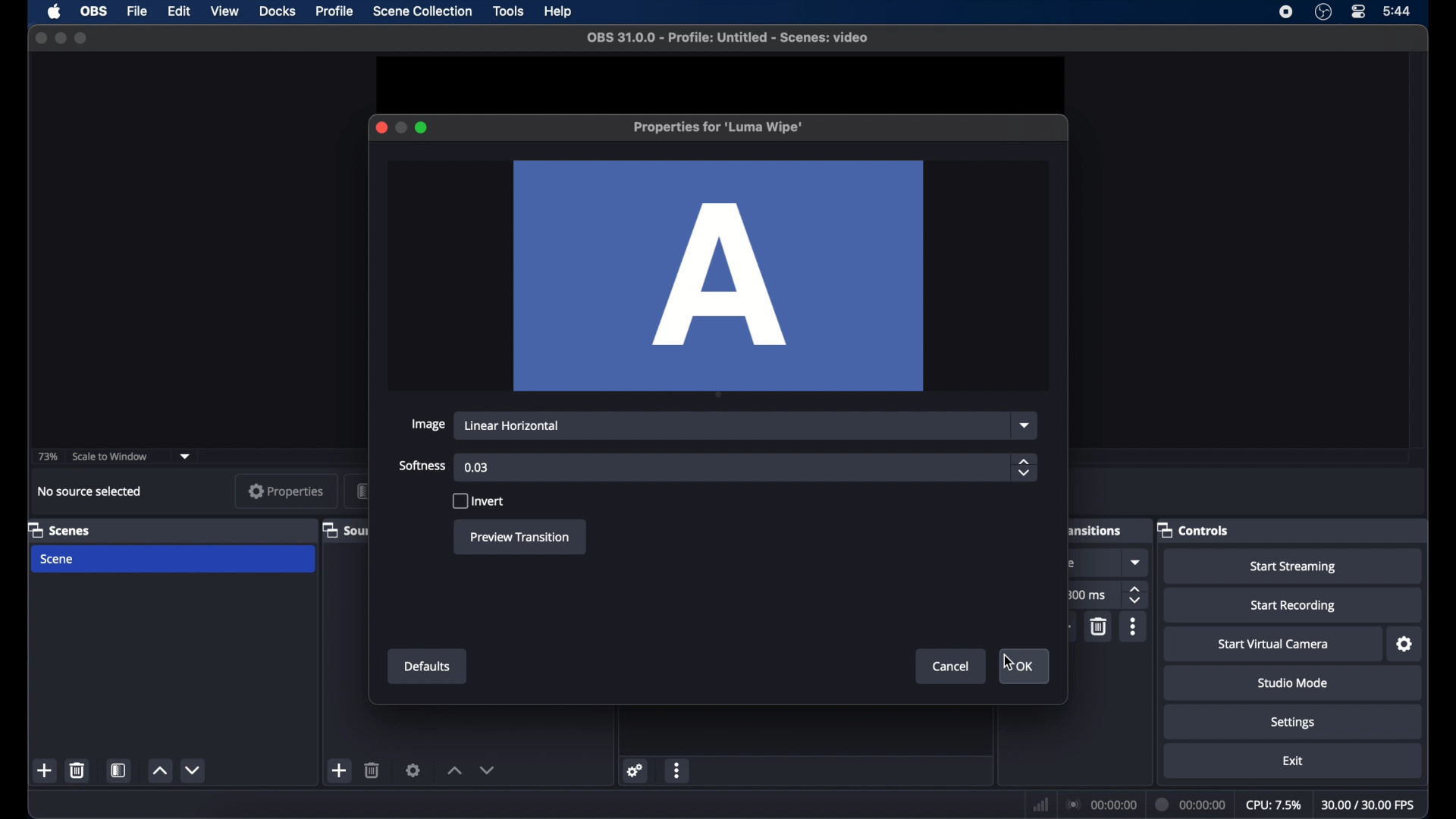  I want to click on settings, so click(635, 772).